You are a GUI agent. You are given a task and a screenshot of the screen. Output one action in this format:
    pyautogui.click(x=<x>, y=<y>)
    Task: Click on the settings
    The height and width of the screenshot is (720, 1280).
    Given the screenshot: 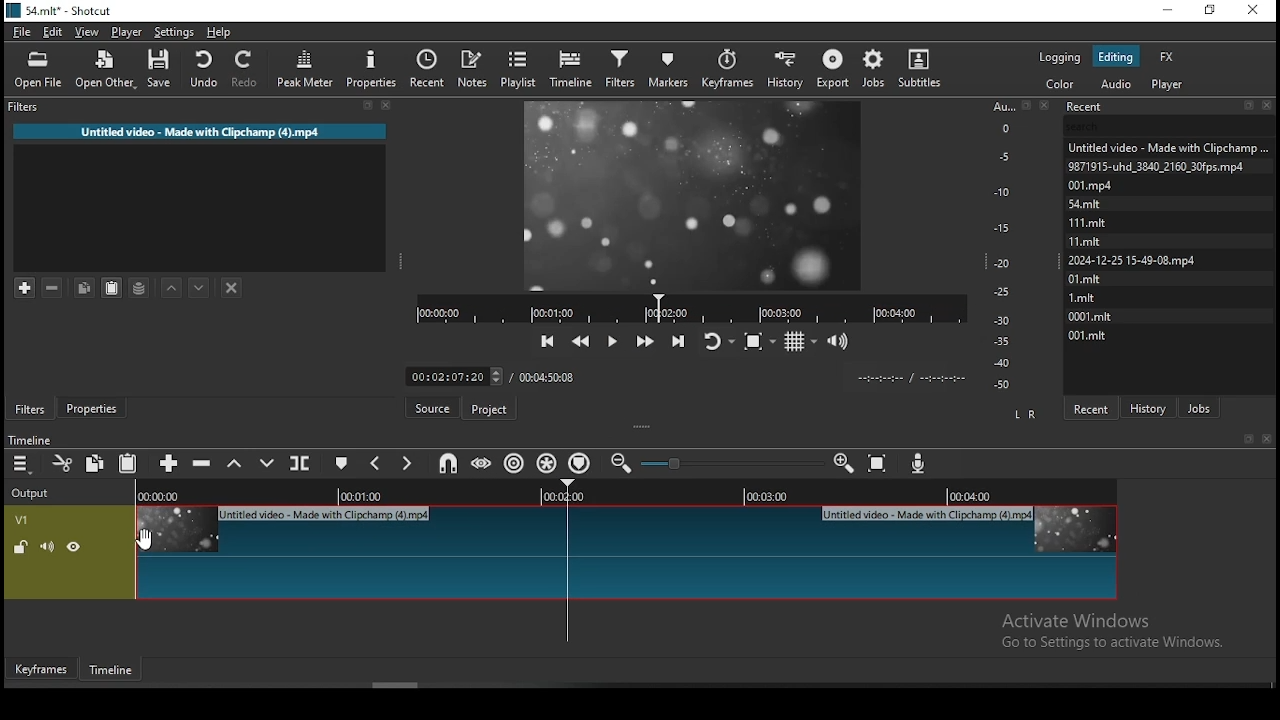 What is the action you would take?
    pyautogui.click(x=172, y=32)
    